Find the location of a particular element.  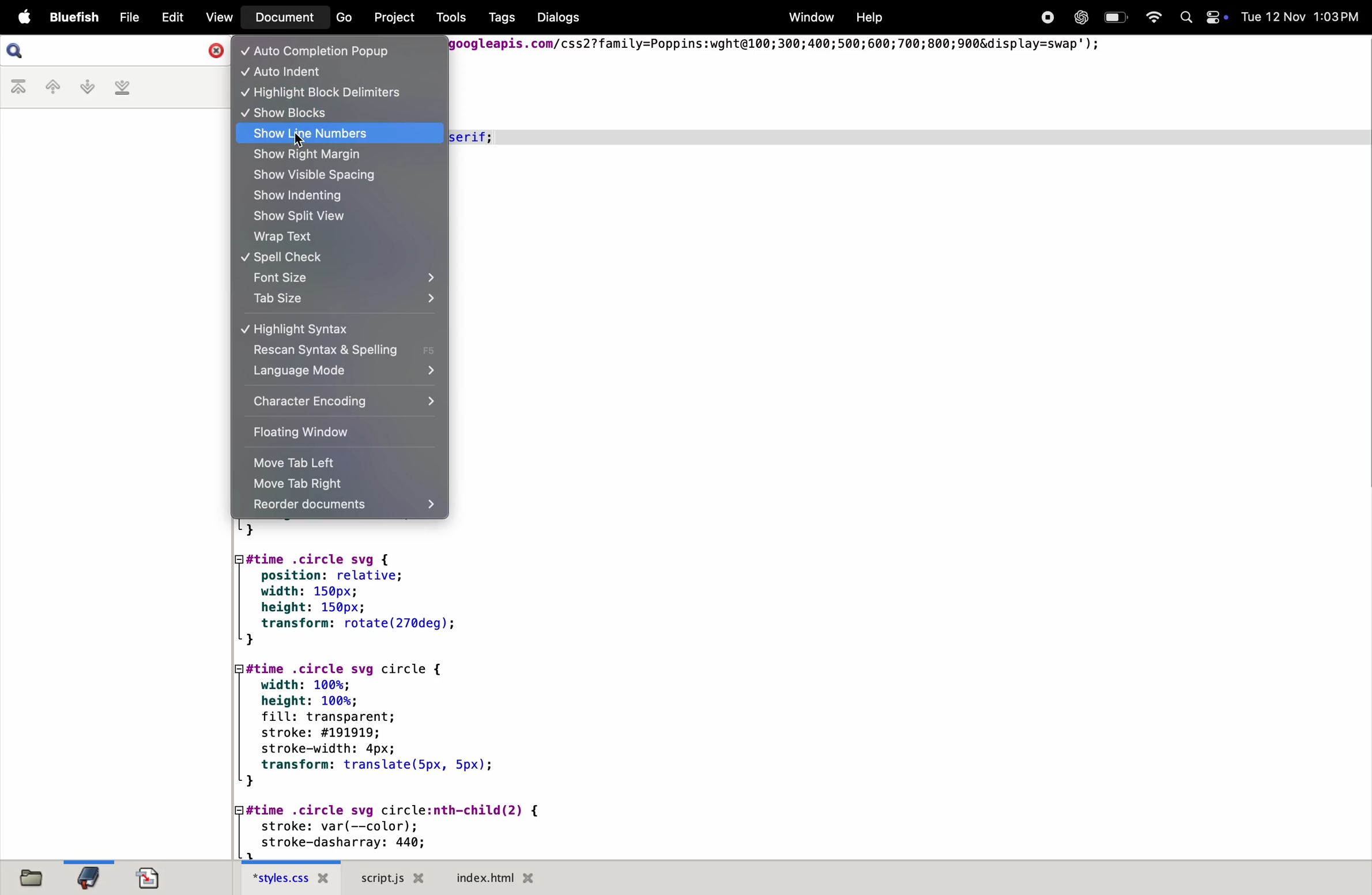

Search is located at coordinates (17, 51).